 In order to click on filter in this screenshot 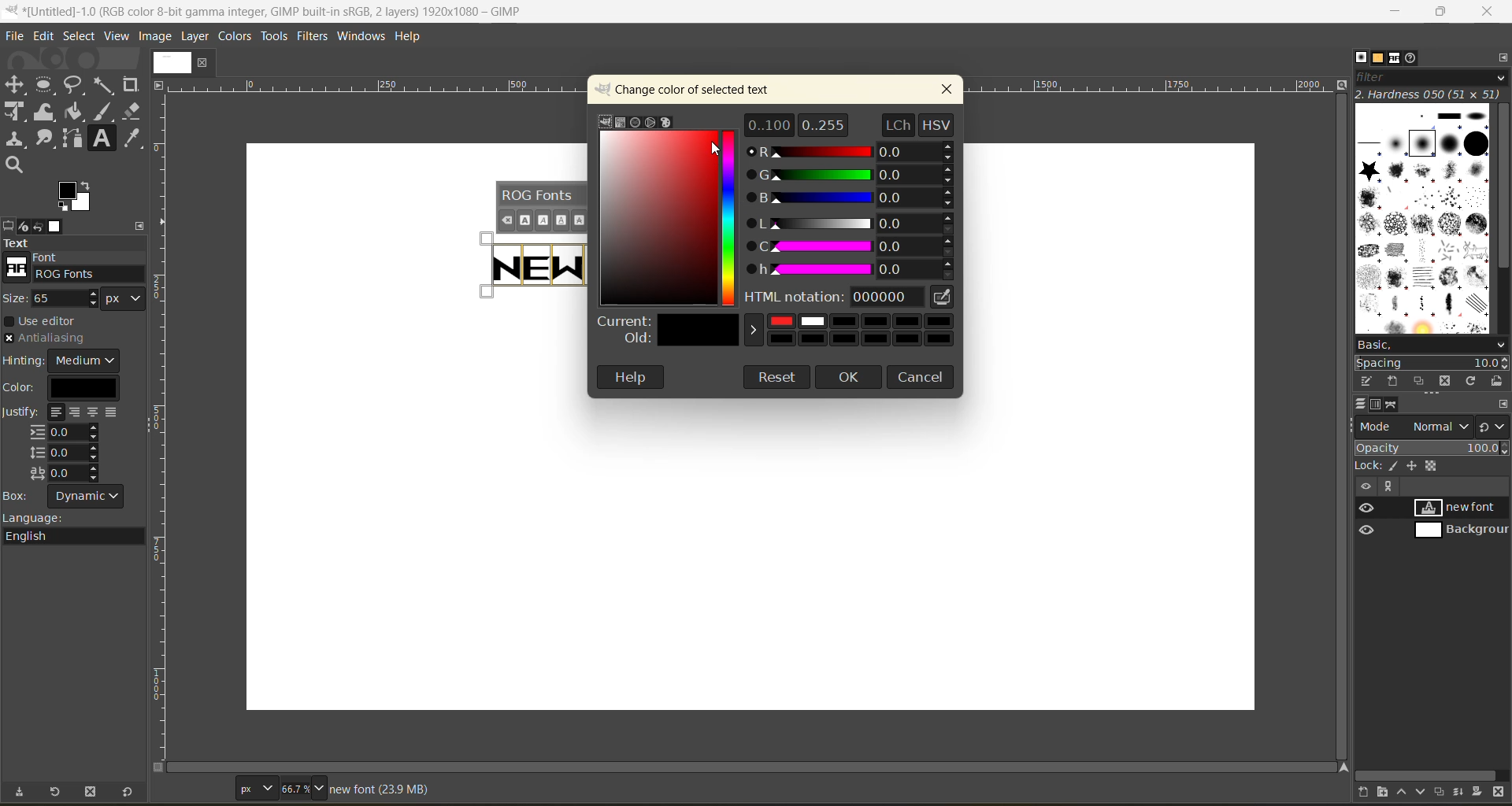, I will do `click(1430, 81)`.